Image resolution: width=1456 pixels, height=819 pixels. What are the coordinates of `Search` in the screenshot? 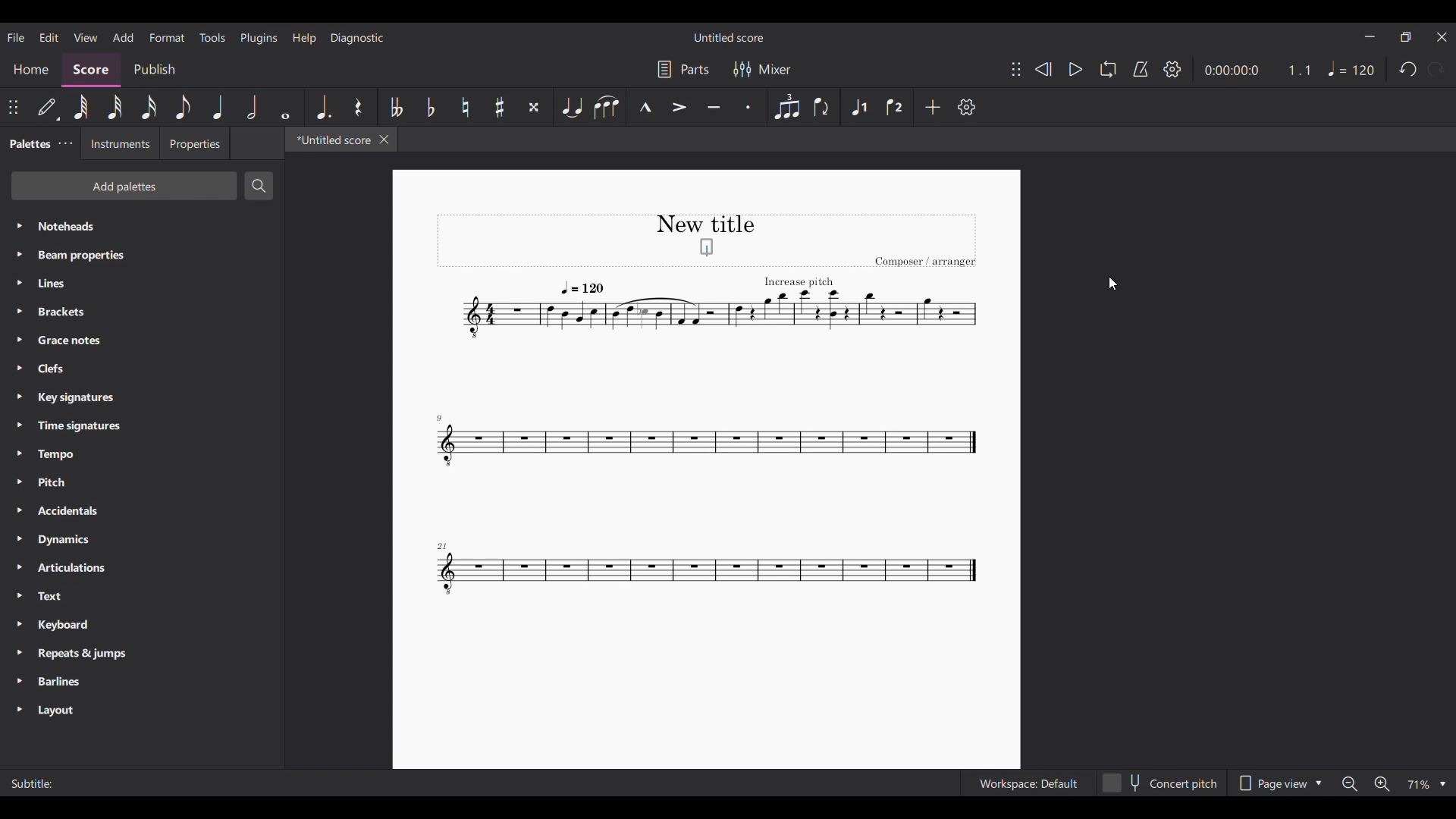 It's located at (259, 186).